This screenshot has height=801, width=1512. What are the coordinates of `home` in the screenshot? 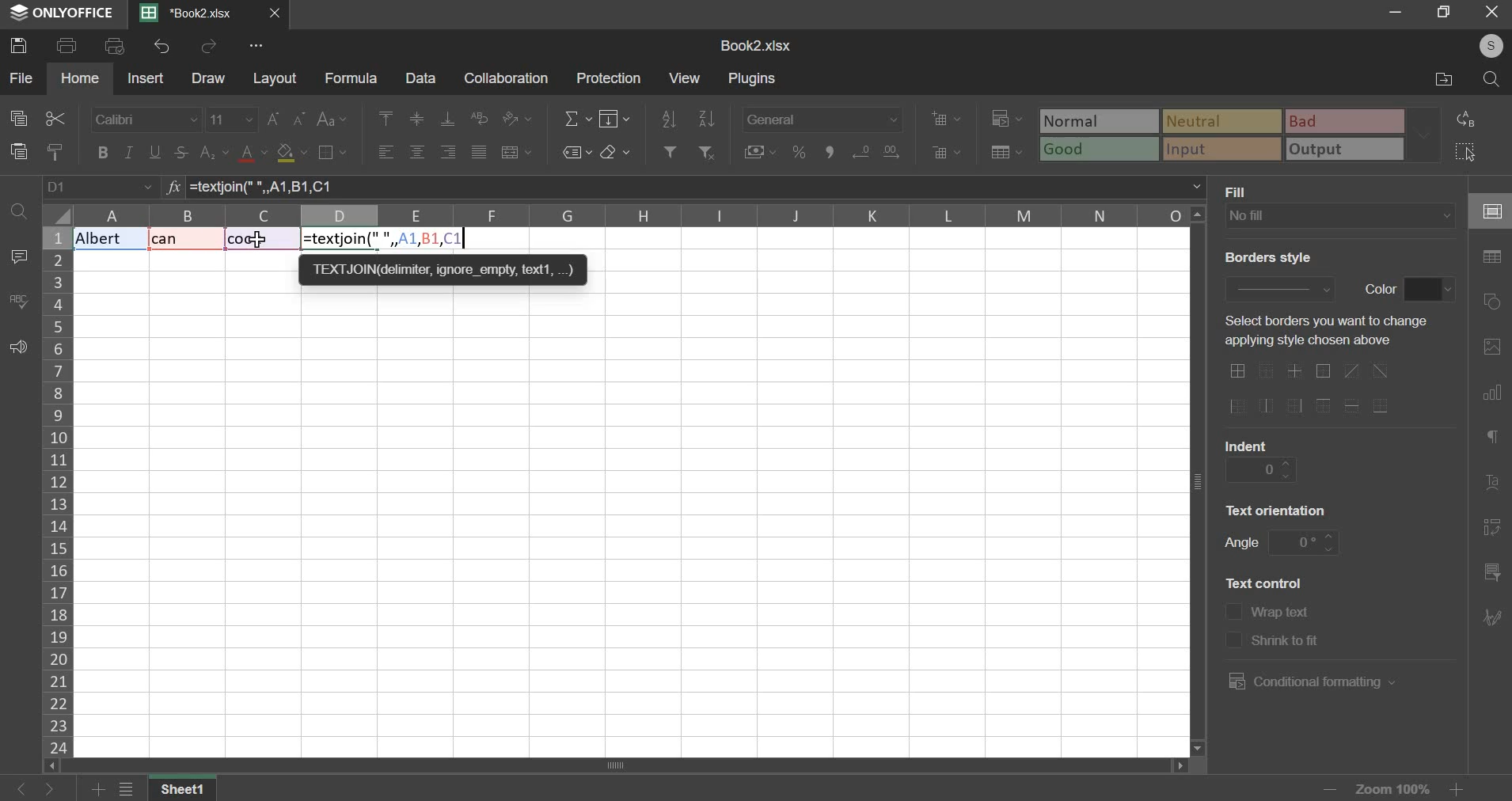 It's located at (81, 78).